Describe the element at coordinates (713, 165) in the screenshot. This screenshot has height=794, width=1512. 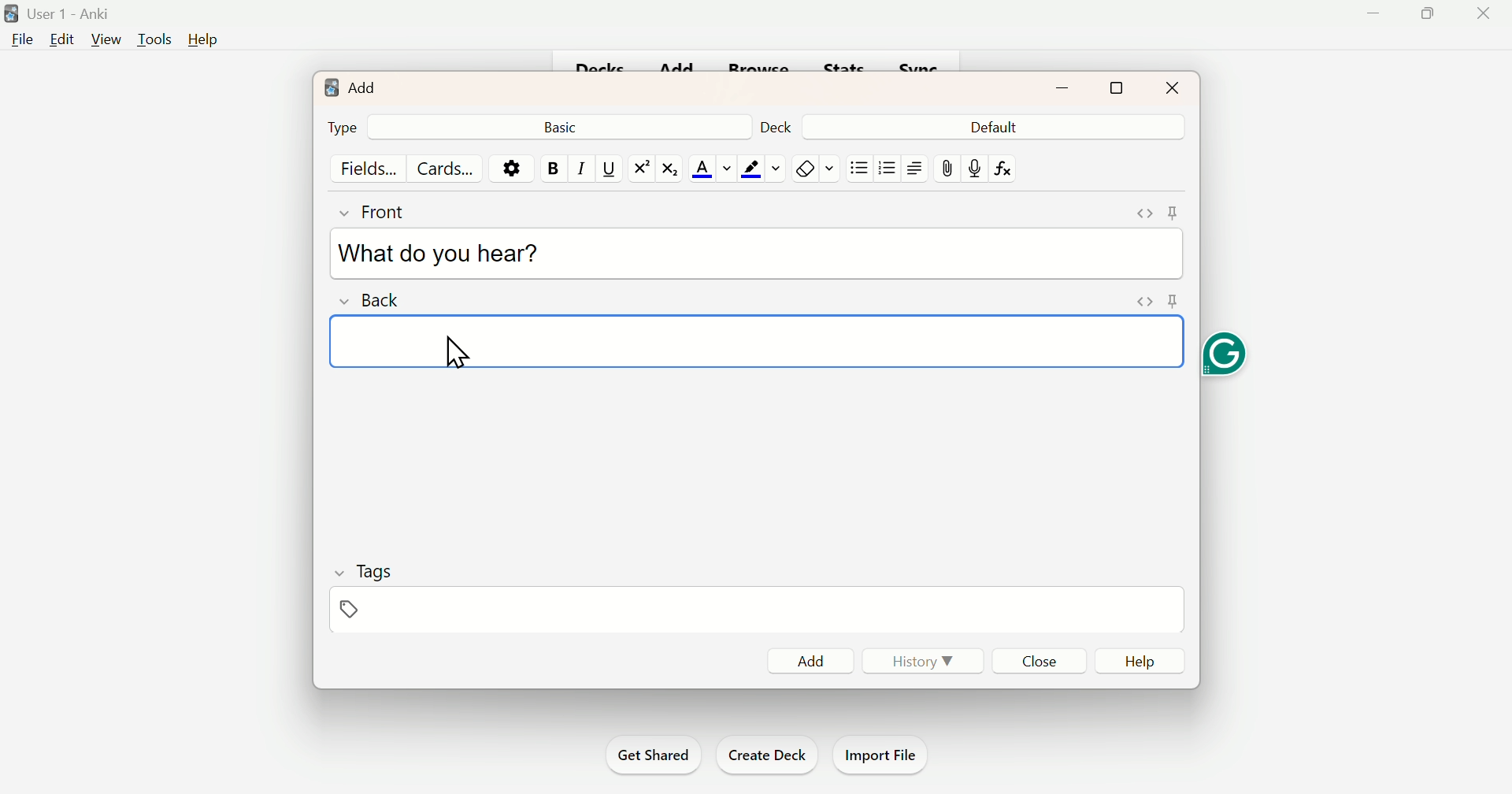
I see `Text Color` at that location.